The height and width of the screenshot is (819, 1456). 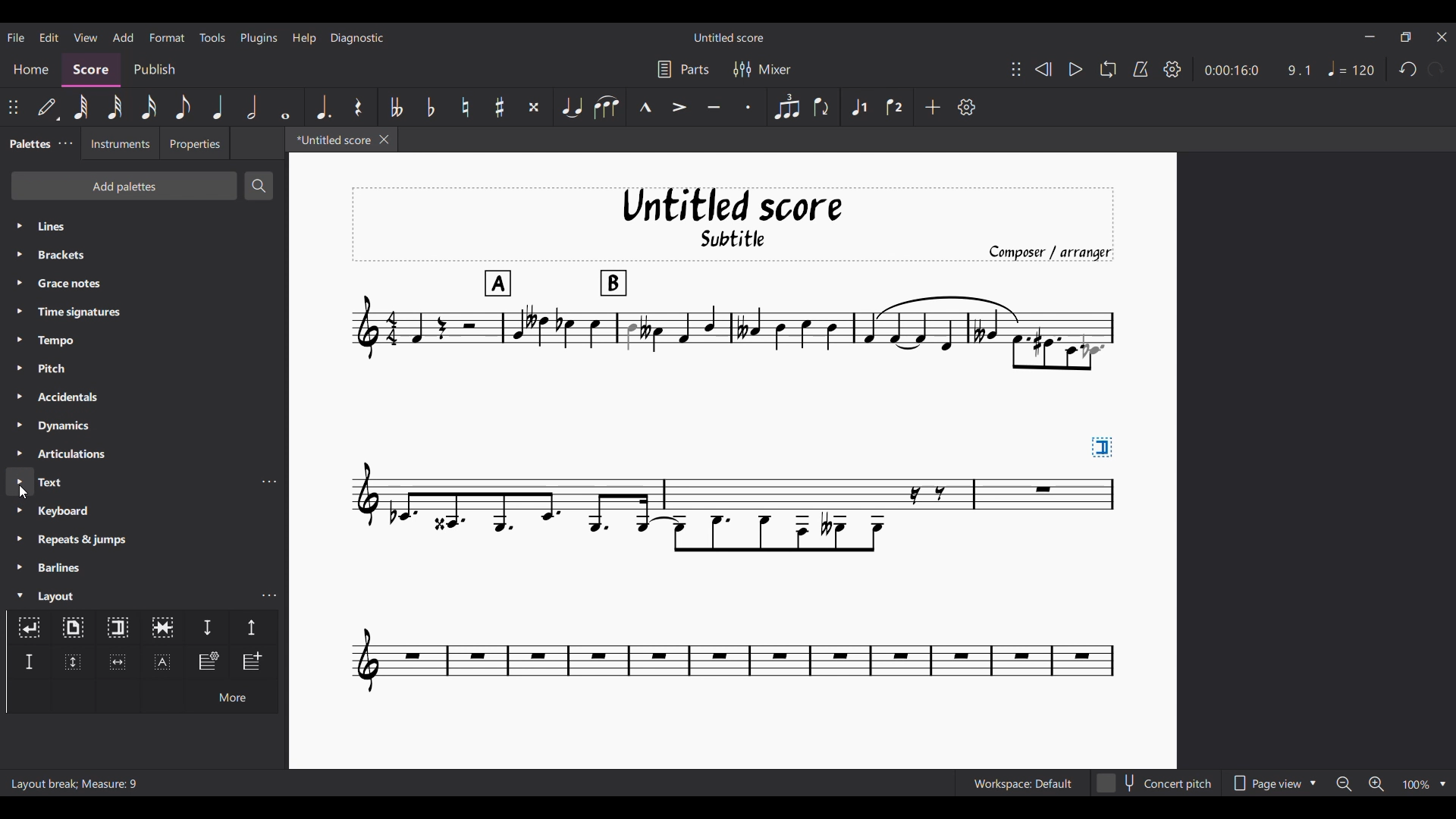 What do you see at coordinates (252, 106) in the screenshot?
I see `Half note` at bounding box center [252, 106].